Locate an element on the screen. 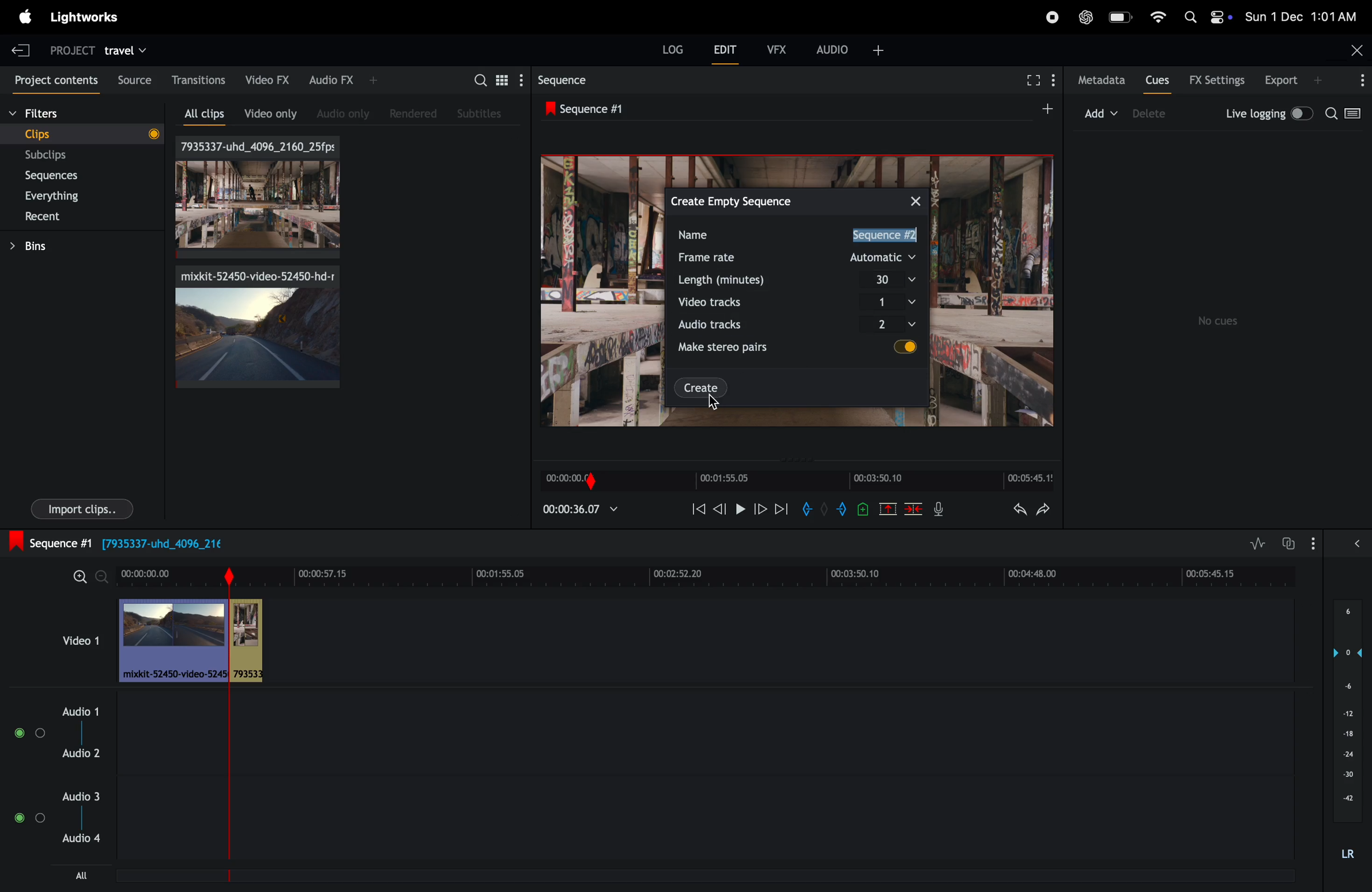 The height and width of the screenshot is (892, 1372). Audio is located at coordinates (29, 815).